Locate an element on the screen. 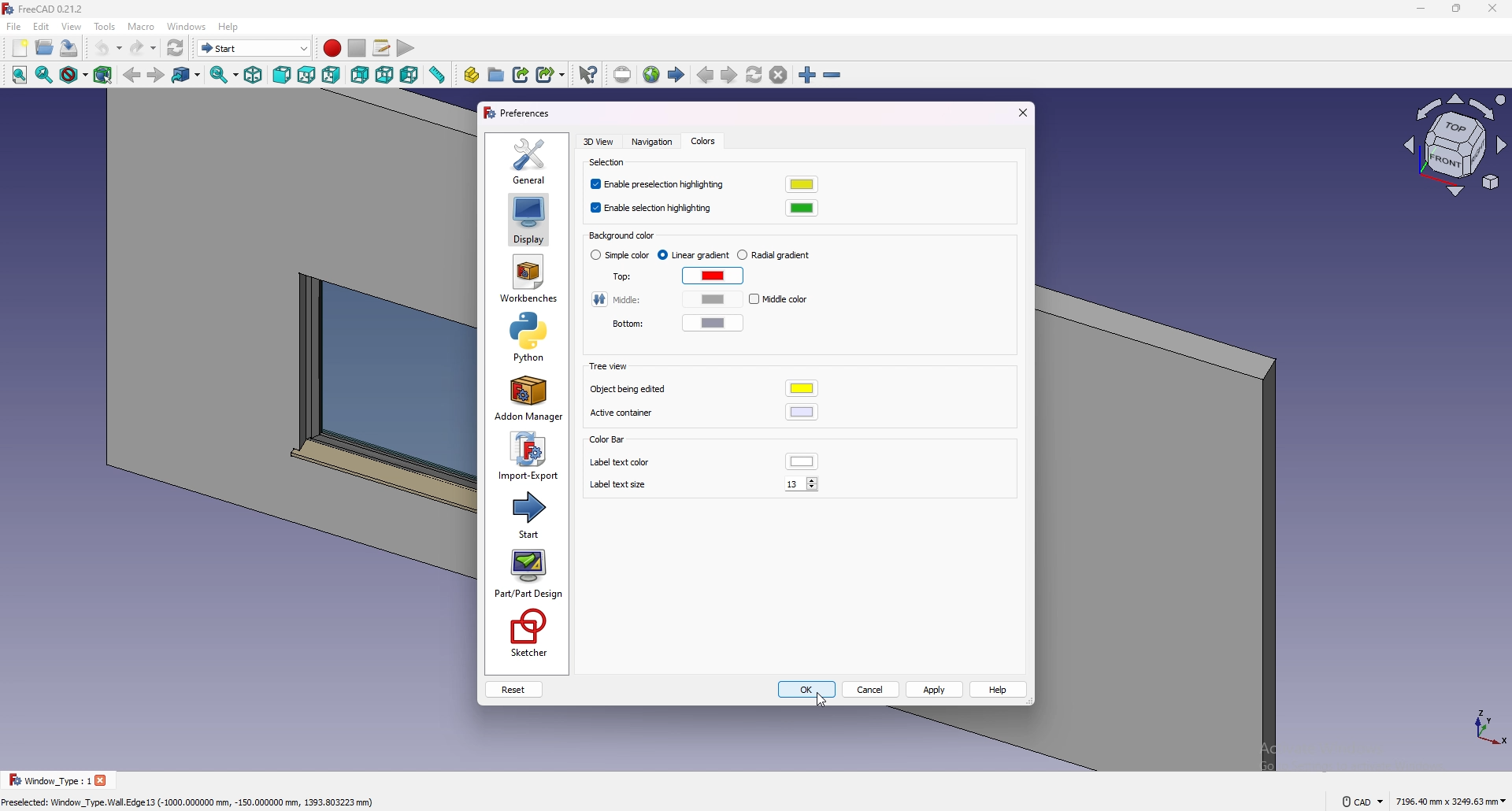 This screenshot has width=1512, height=811. macros is located at coordinates (383, 48).